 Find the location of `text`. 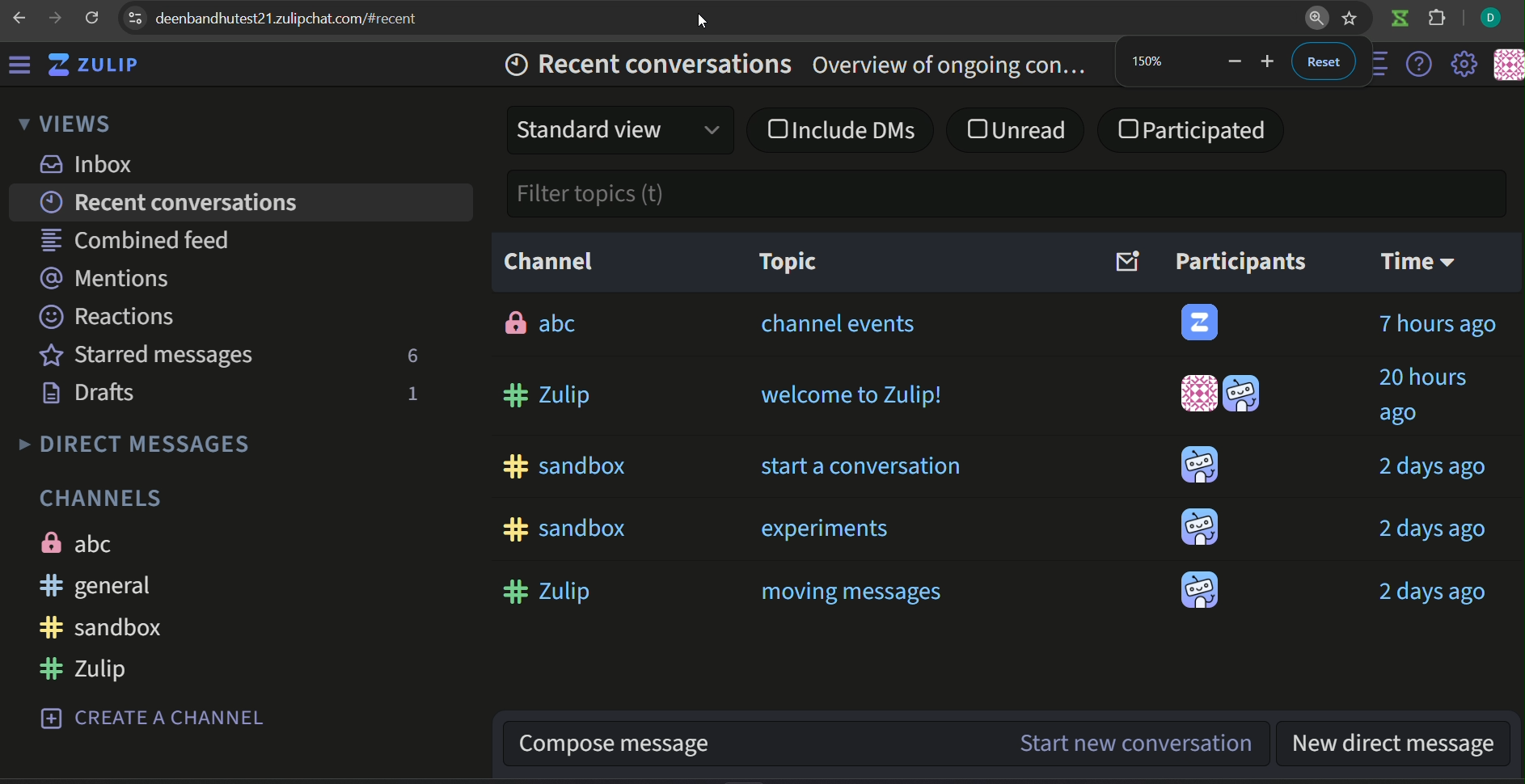

text is located at coordinates (1241, 261).